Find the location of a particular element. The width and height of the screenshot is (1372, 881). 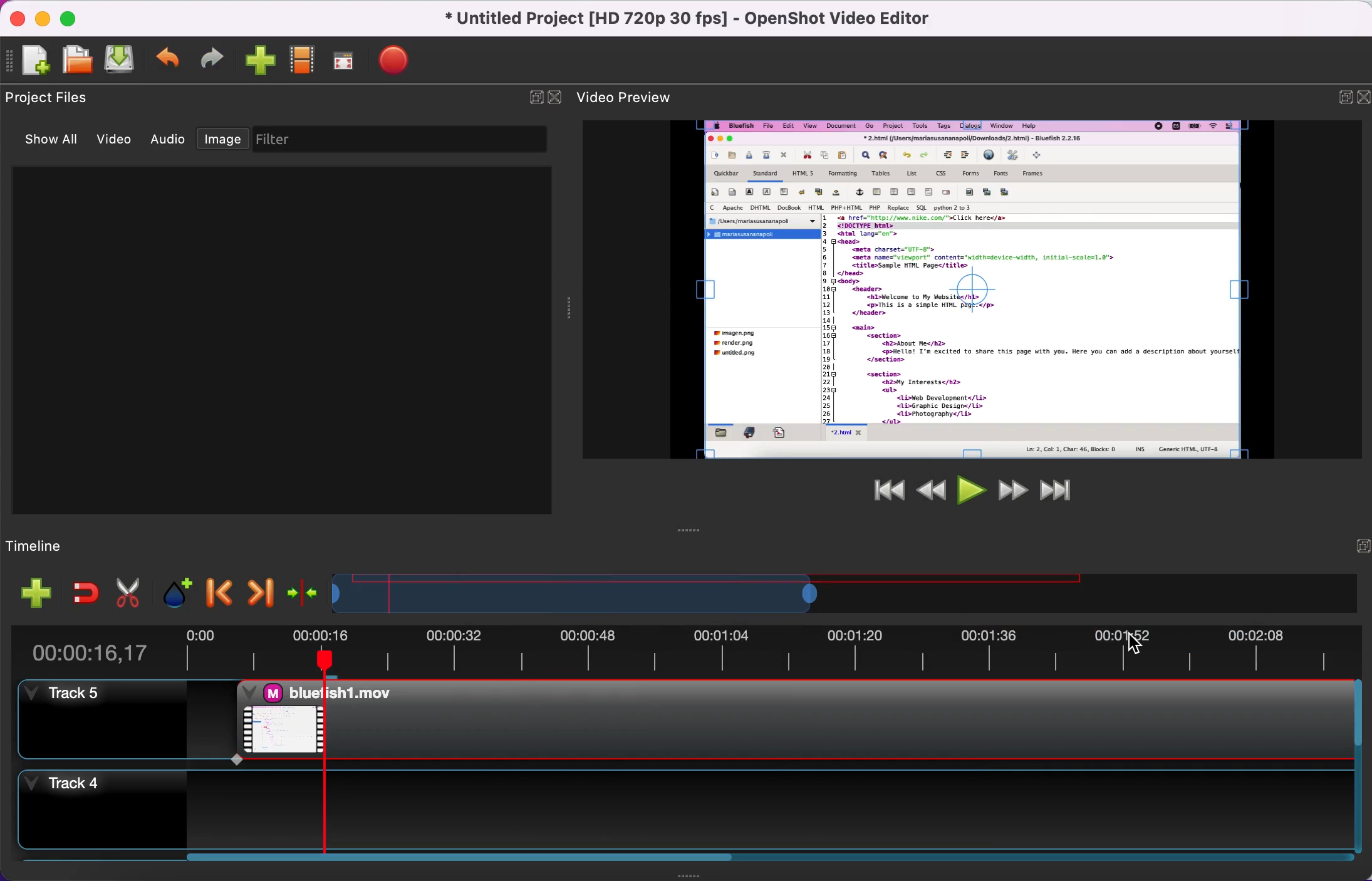

minimize is located at coordinates (46, 20).